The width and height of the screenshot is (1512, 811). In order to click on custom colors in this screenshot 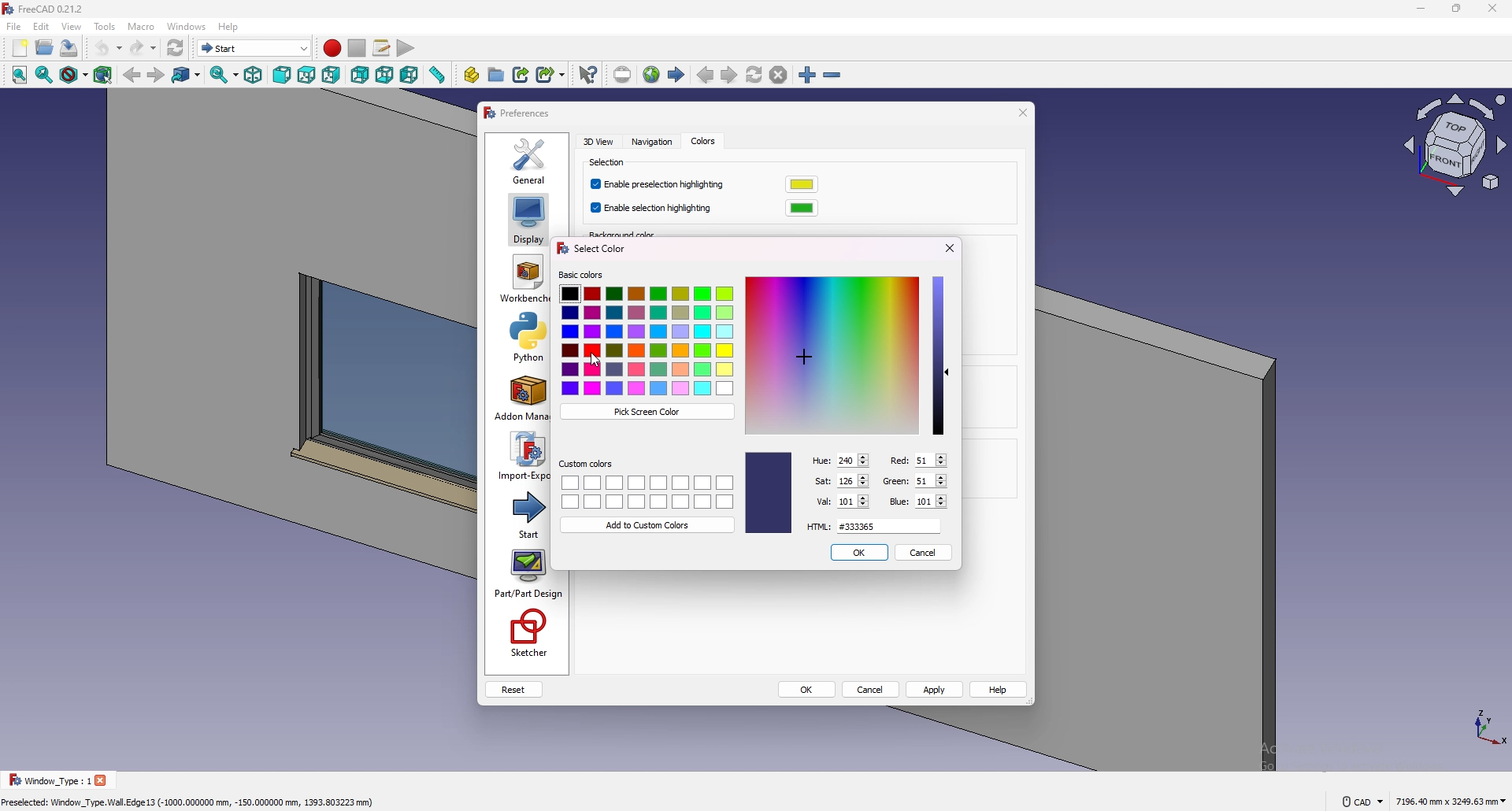, I will do `click(586, 464)`.